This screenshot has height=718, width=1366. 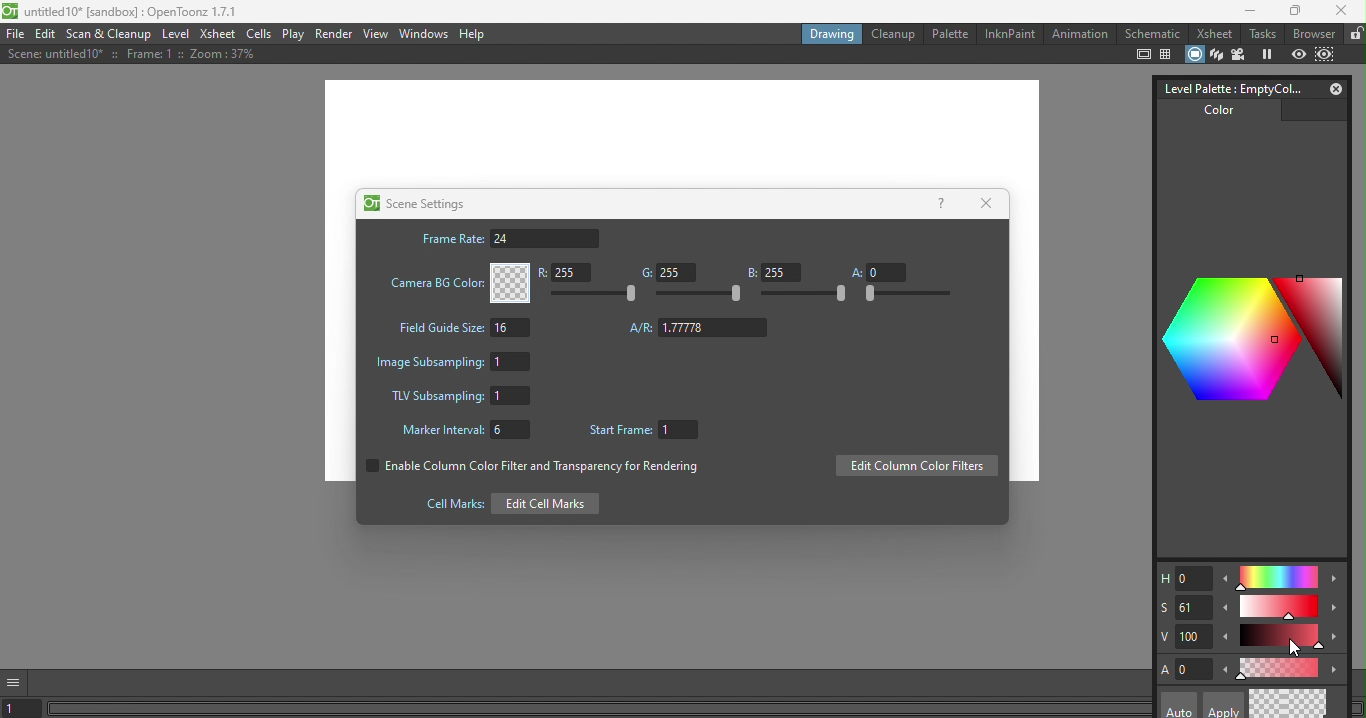 I want to click on Slide bar, so click(x=906, y=294).